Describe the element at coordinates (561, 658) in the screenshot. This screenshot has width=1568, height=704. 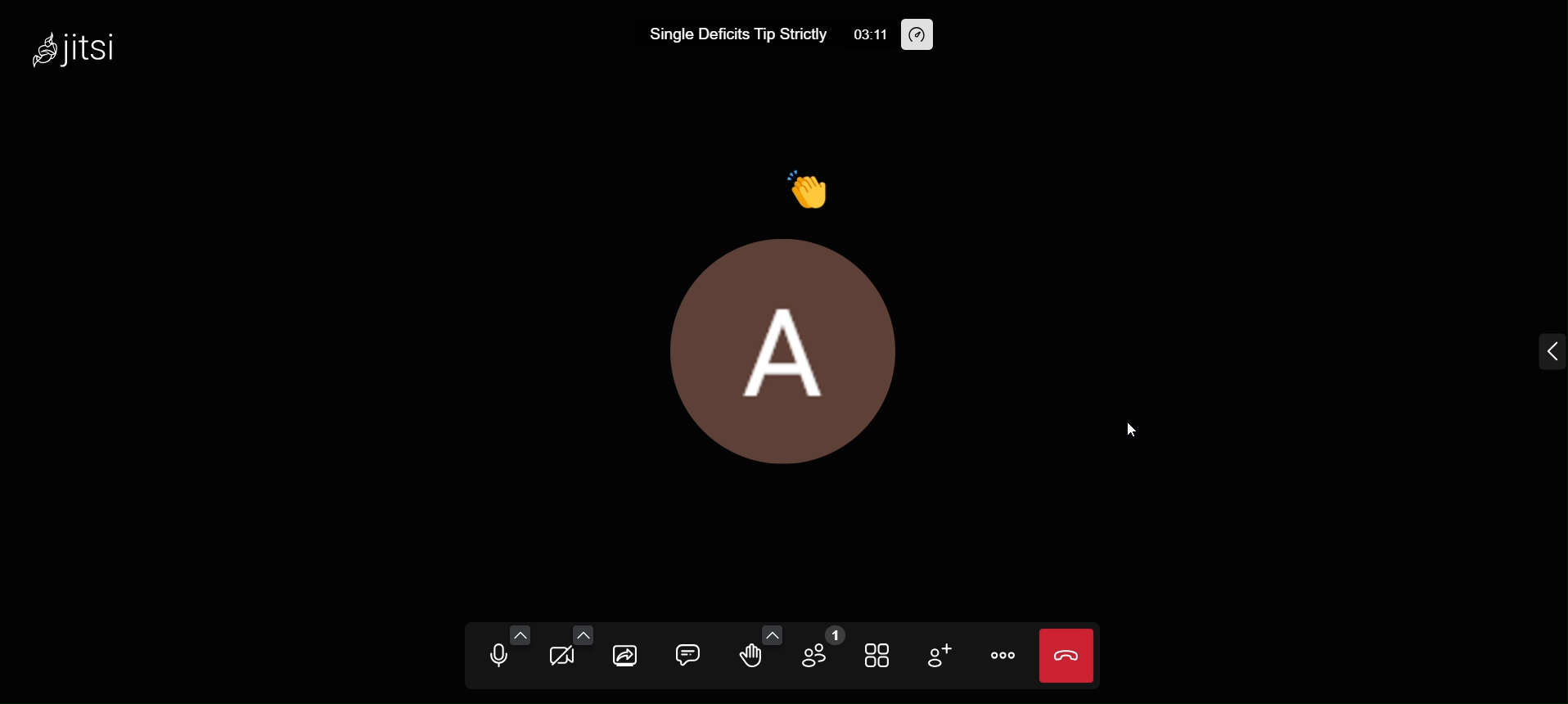
I see `start camera` at that location.